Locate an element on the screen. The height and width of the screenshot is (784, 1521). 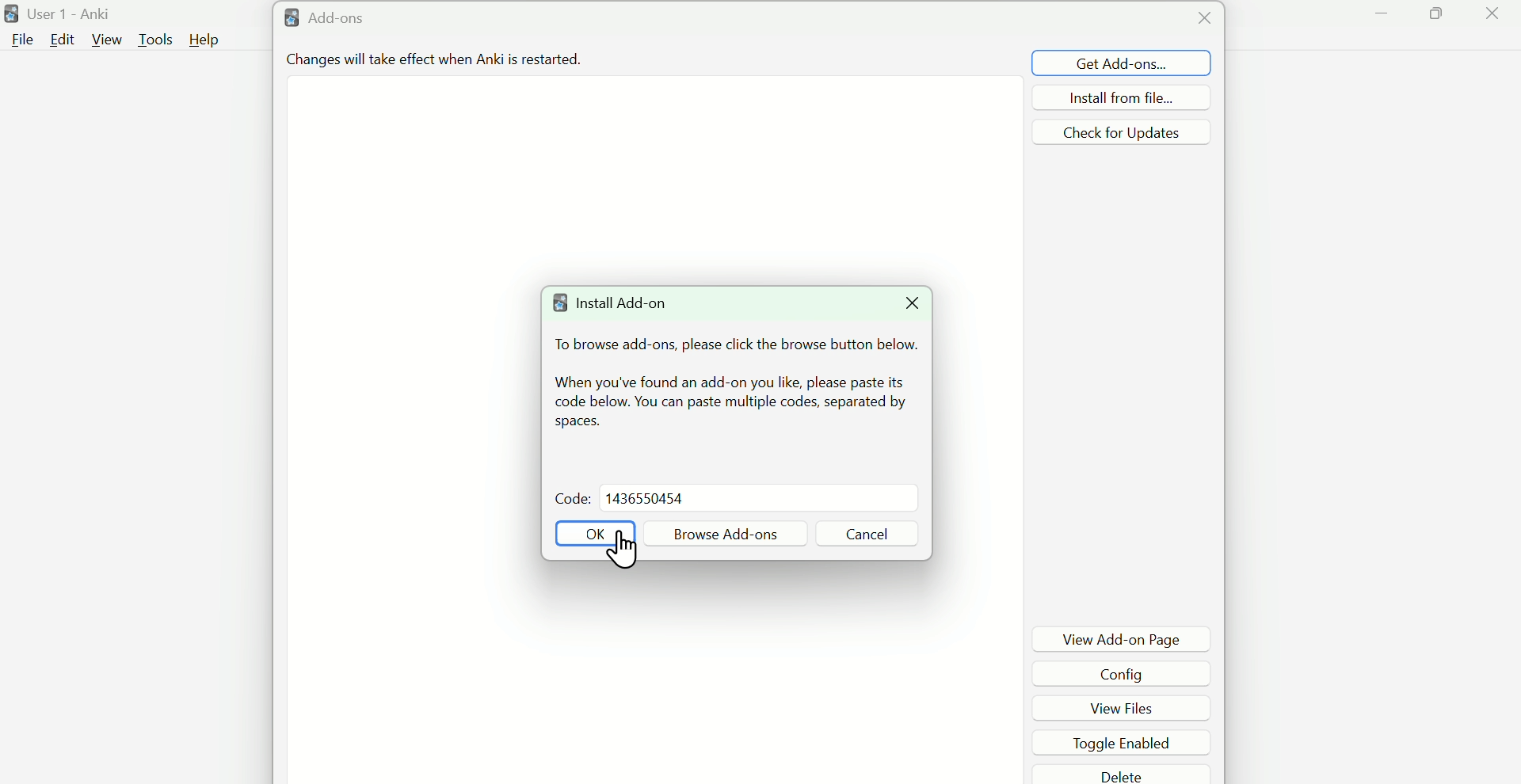
Close is located at coordinates (1492, 17).